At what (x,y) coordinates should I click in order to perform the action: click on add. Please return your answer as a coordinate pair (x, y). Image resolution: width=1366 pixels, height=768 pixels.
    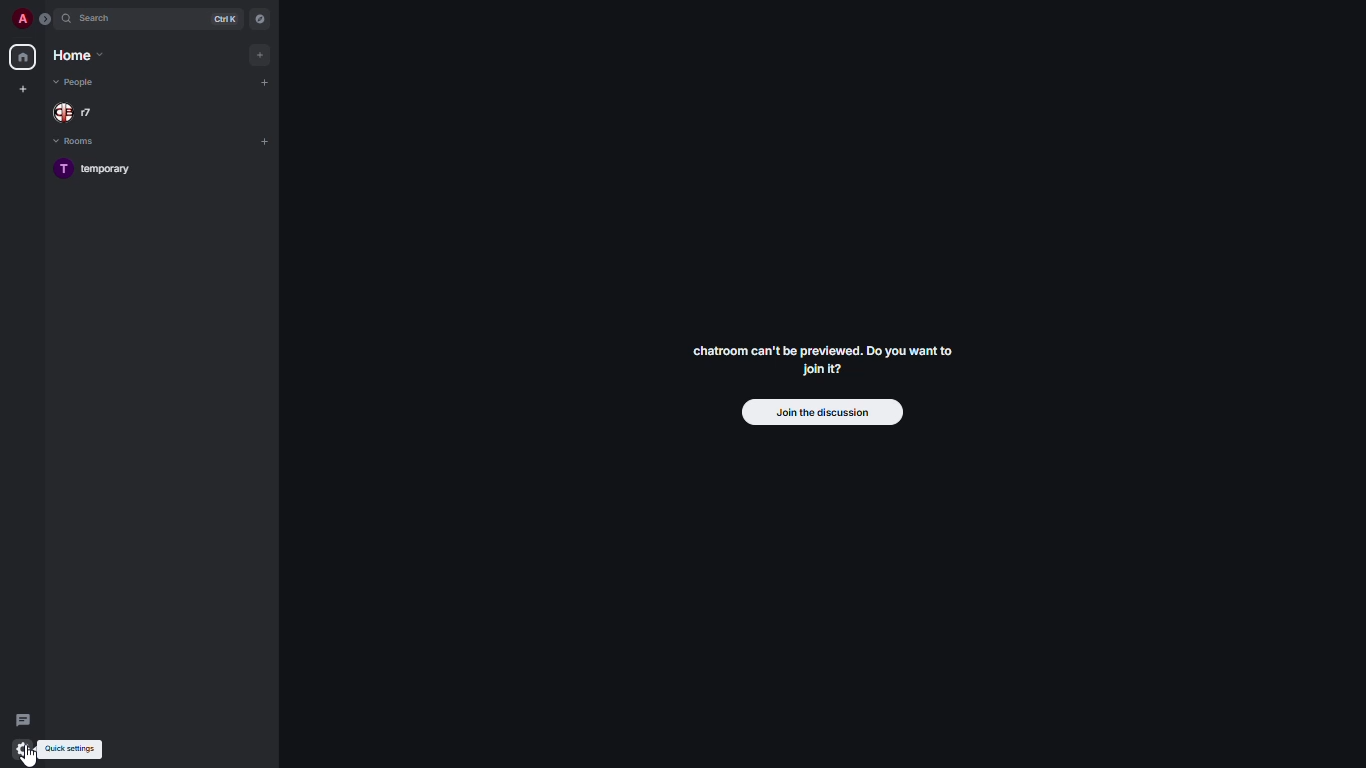
    Looking at the image, I should click on (258, 55).